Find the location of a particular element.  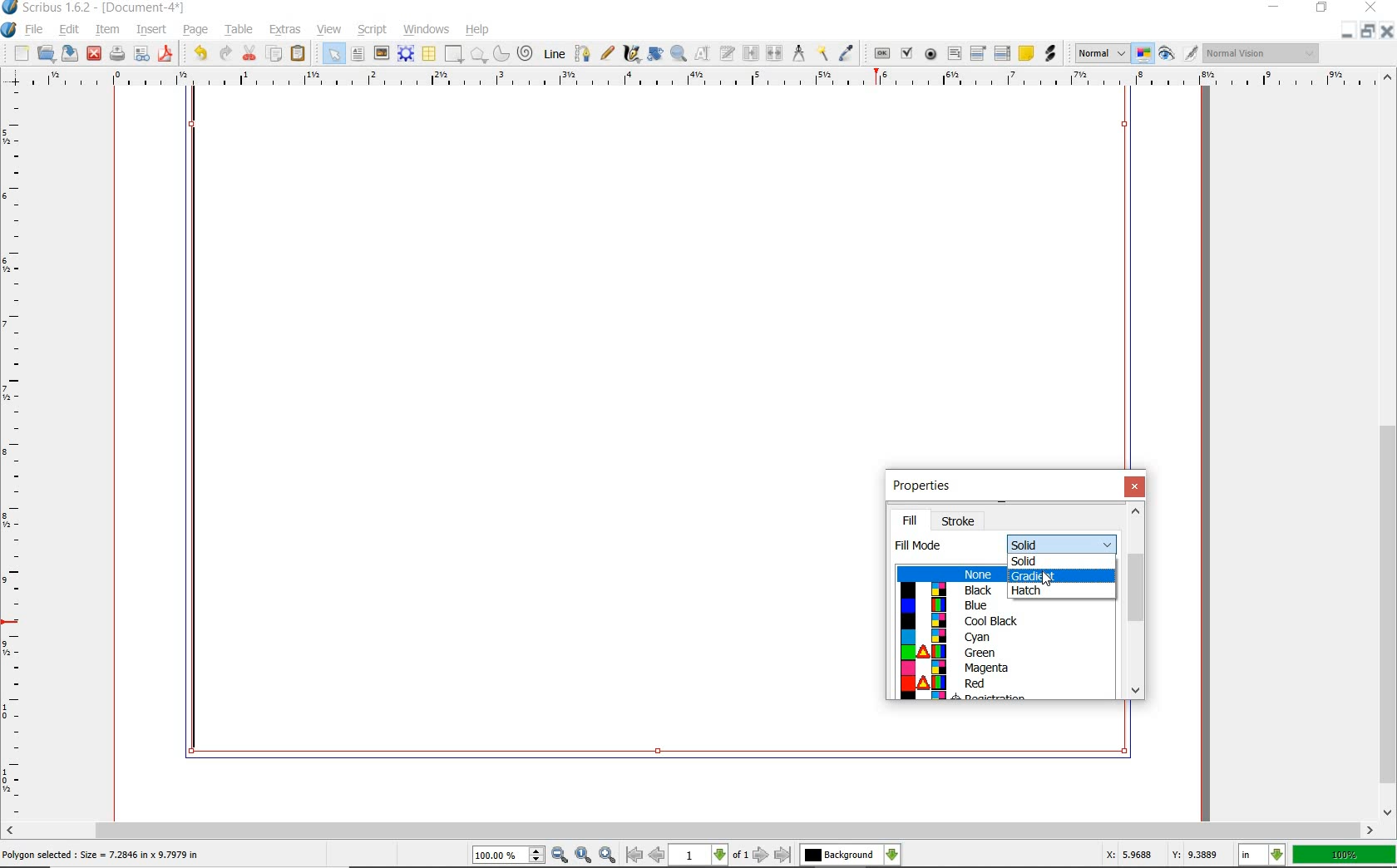

pdf text field is located at coordinates (954, 53).